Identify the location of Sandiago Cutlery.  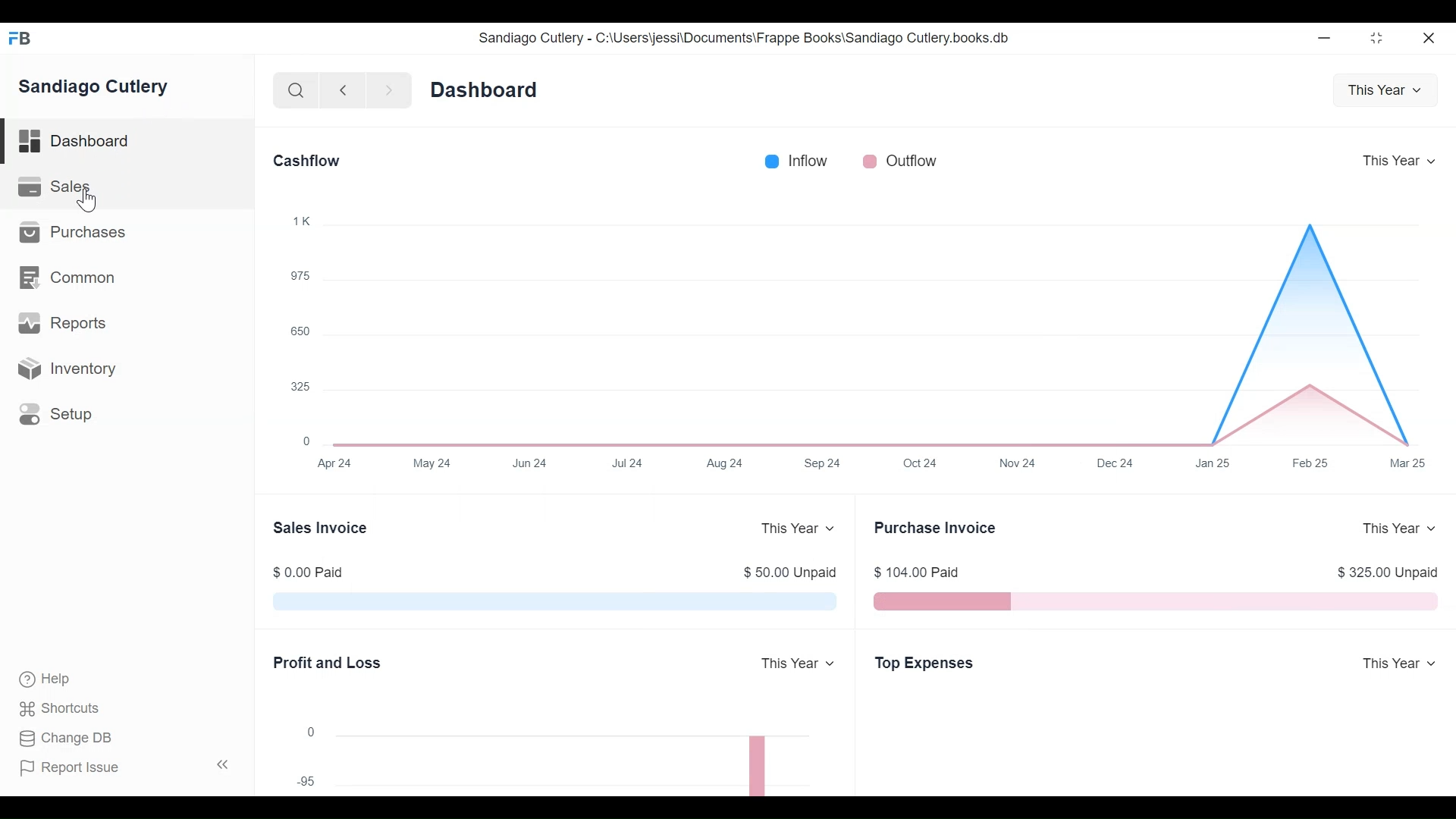
(98, 86).